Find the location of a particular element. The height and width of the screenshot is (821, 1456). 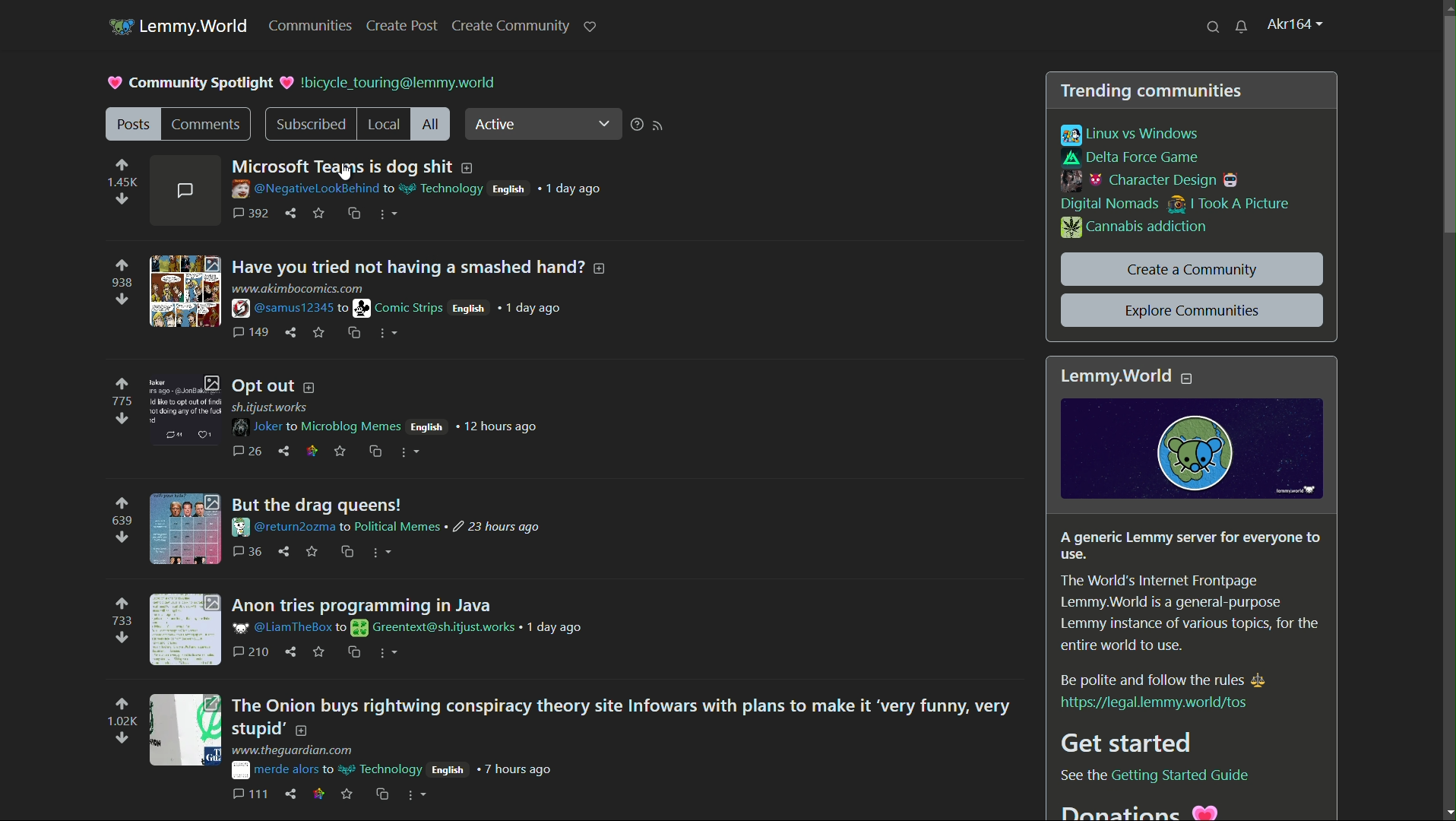

comments is located at coordinates (207, 125).